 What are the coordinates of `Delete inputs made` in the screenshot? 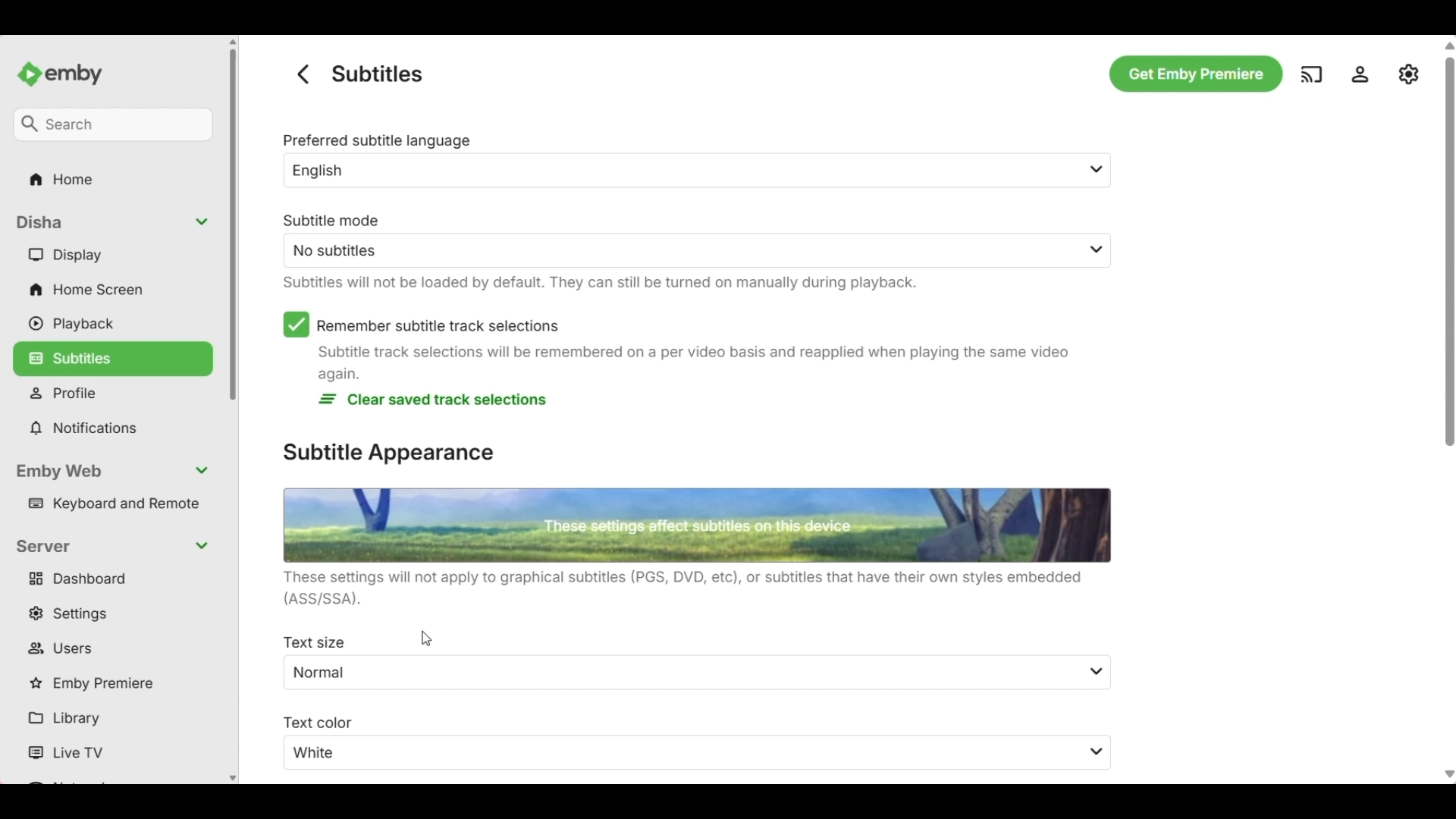 It's located at (432, 400).